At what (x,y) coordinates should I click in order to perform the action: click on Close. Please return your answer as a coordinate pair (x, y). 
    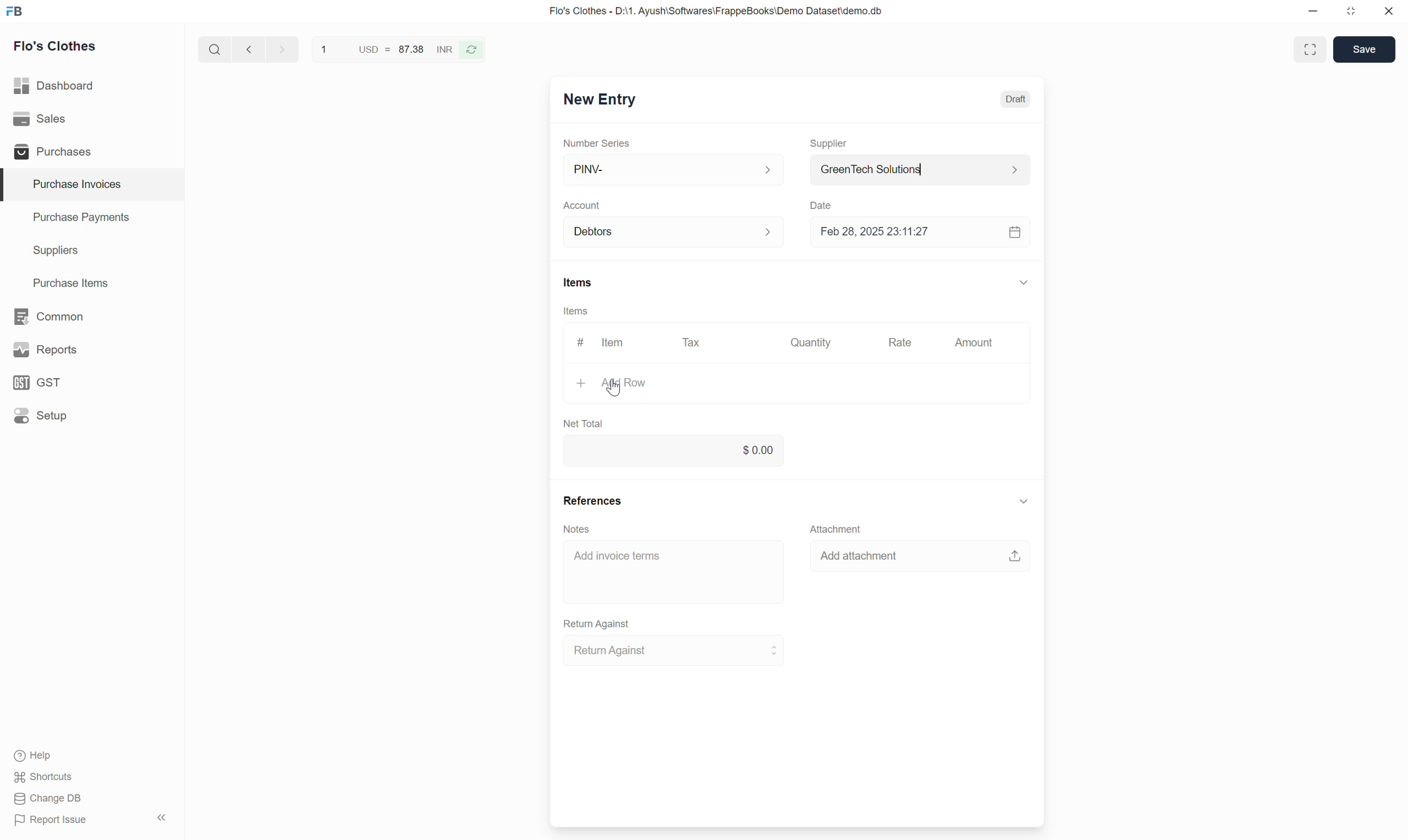
    Looking at the image, I should click on (1389, 11).